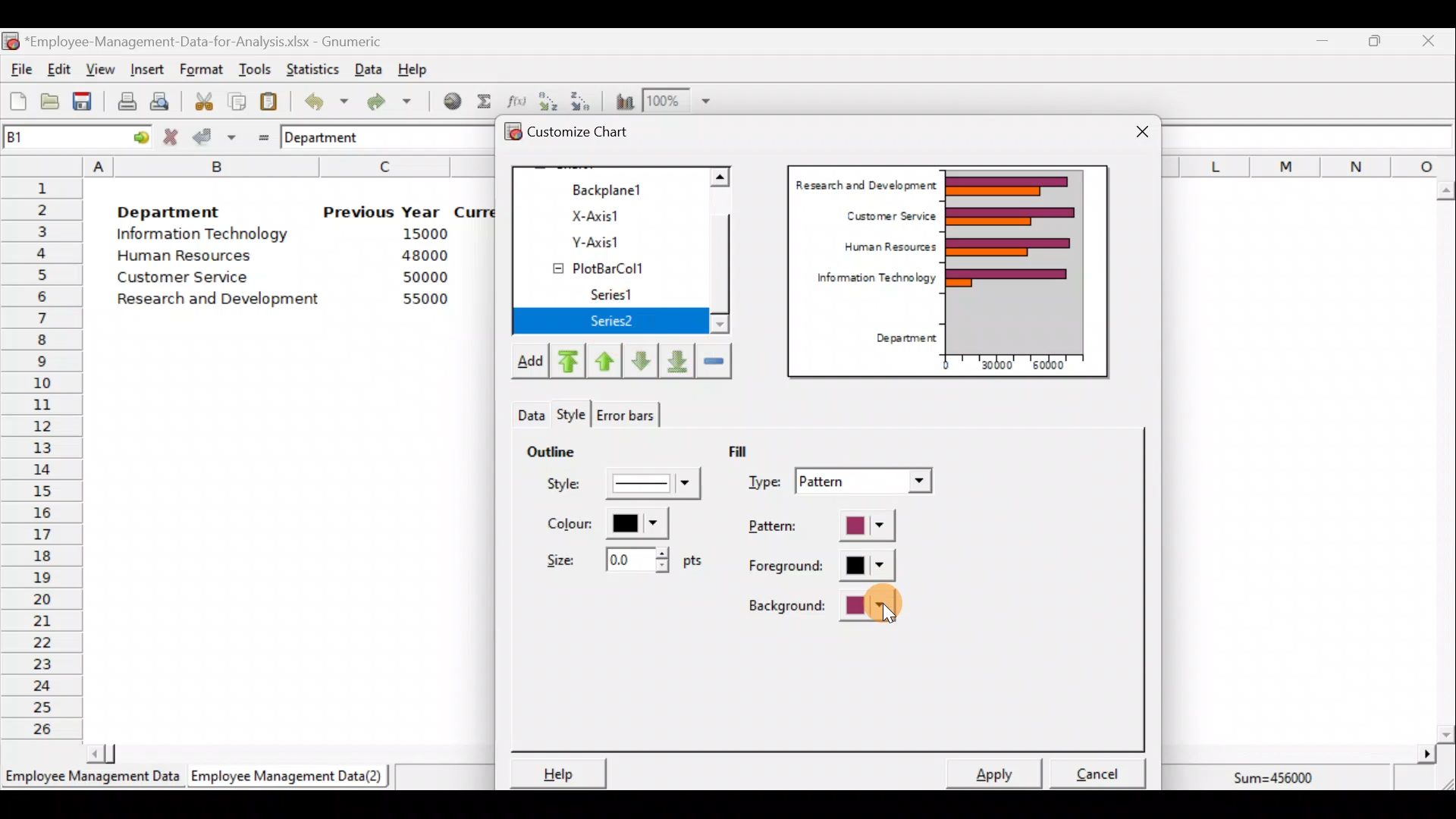  I want to click on Copy the selection, so click(236, 99).